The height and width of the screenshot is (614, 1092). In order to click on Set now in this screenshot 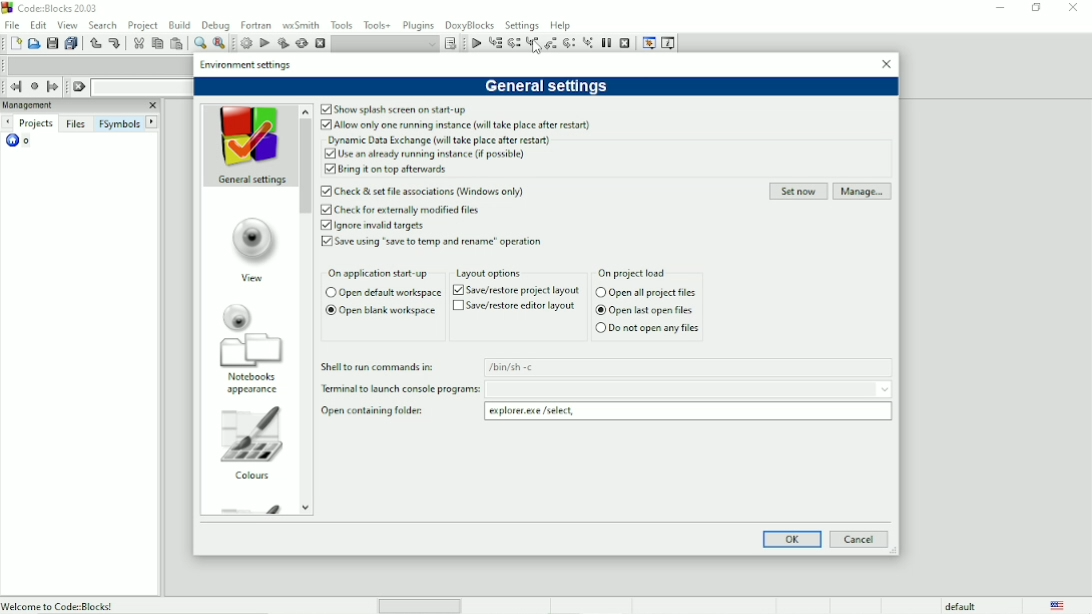, I will do `click(797, 192)`.